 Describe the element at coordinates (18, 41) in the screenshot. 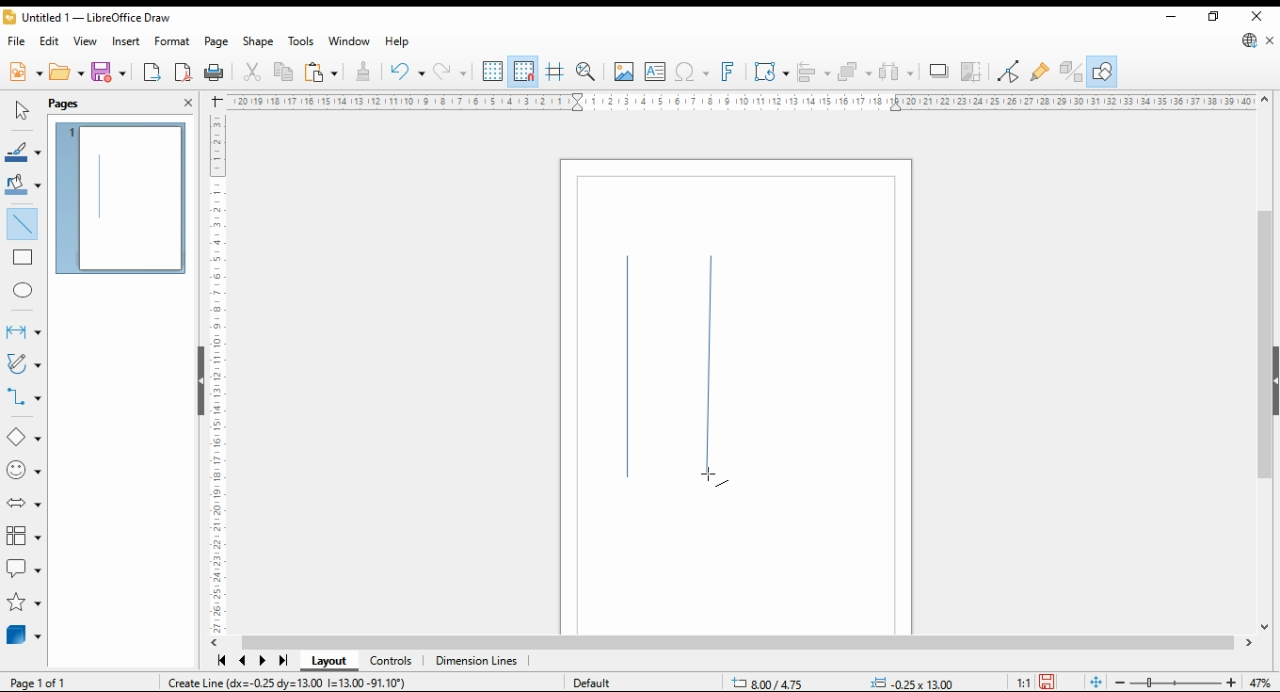

I see `file` at that location.